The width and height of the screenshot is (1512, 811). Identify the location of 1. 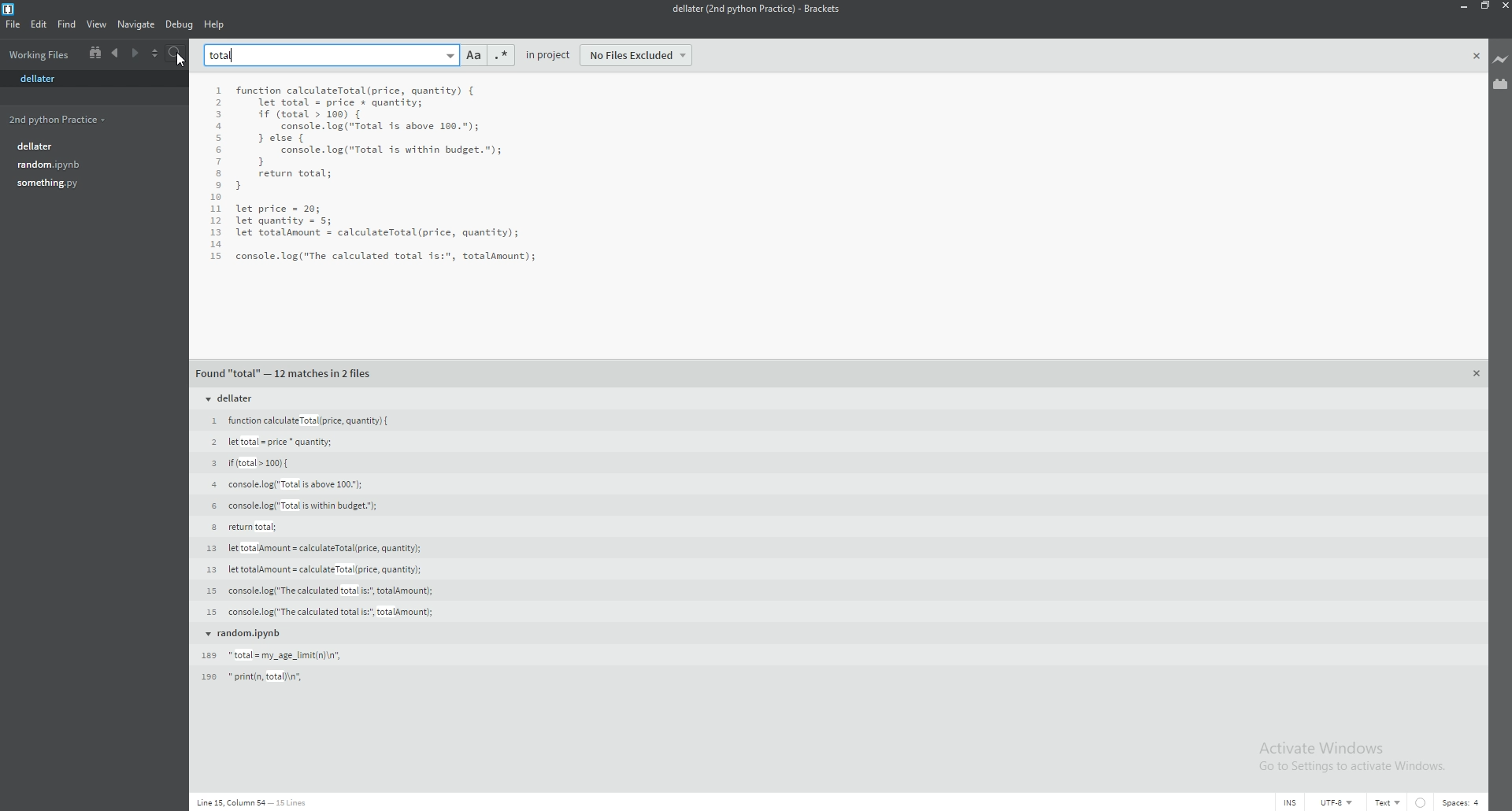
(220, 91).